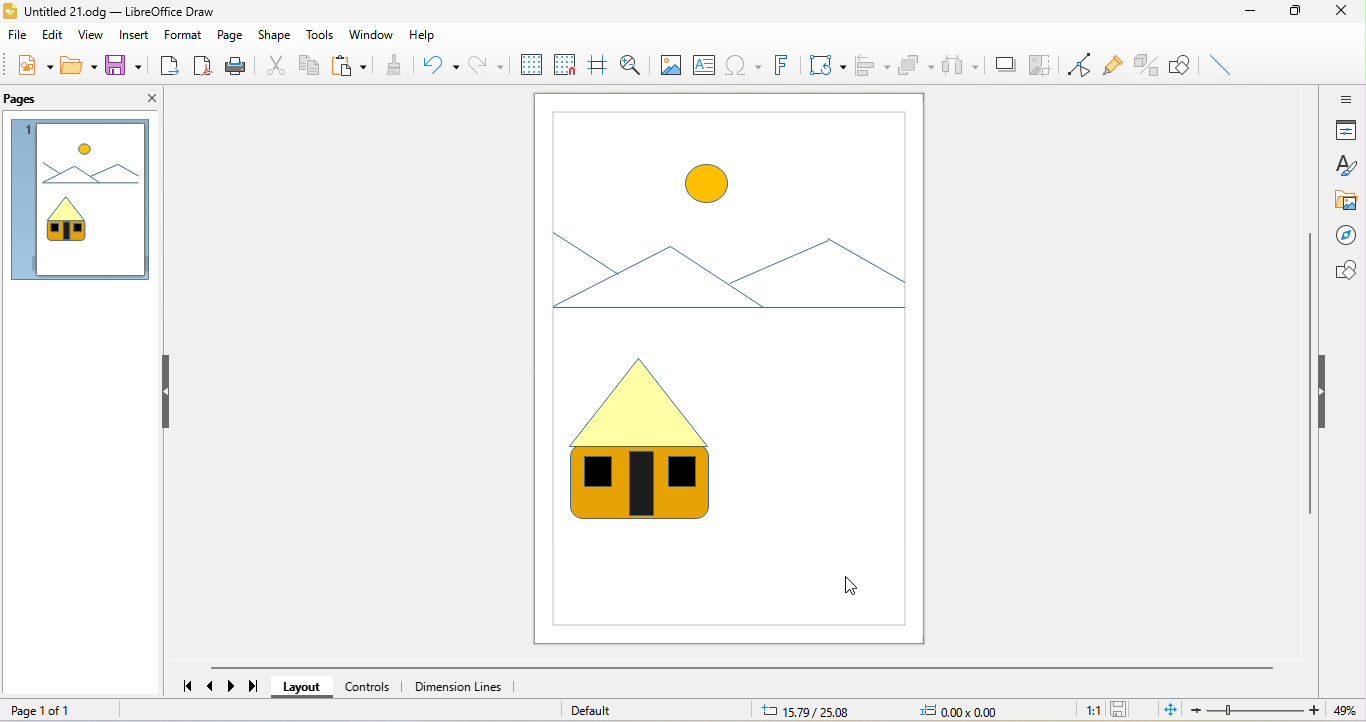 This screenshot has height=722, width=1366. Describe the element at coordinates (740, 668) in the screenshot. I see `horizontal scroll bar` at that location.